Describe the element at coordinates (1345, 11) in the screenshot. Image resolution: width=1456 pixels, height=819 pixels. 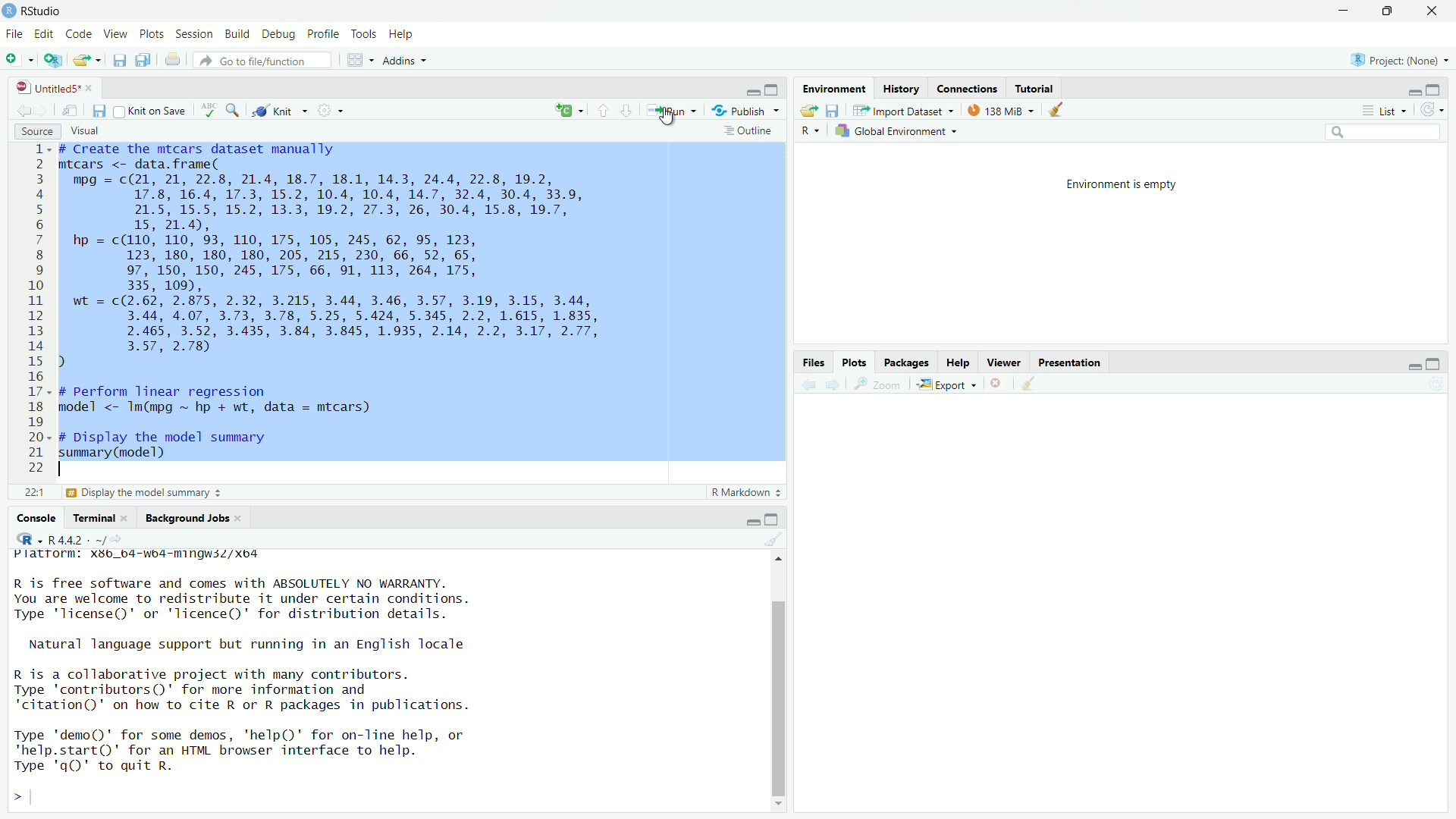
I see `minimize` at that location.